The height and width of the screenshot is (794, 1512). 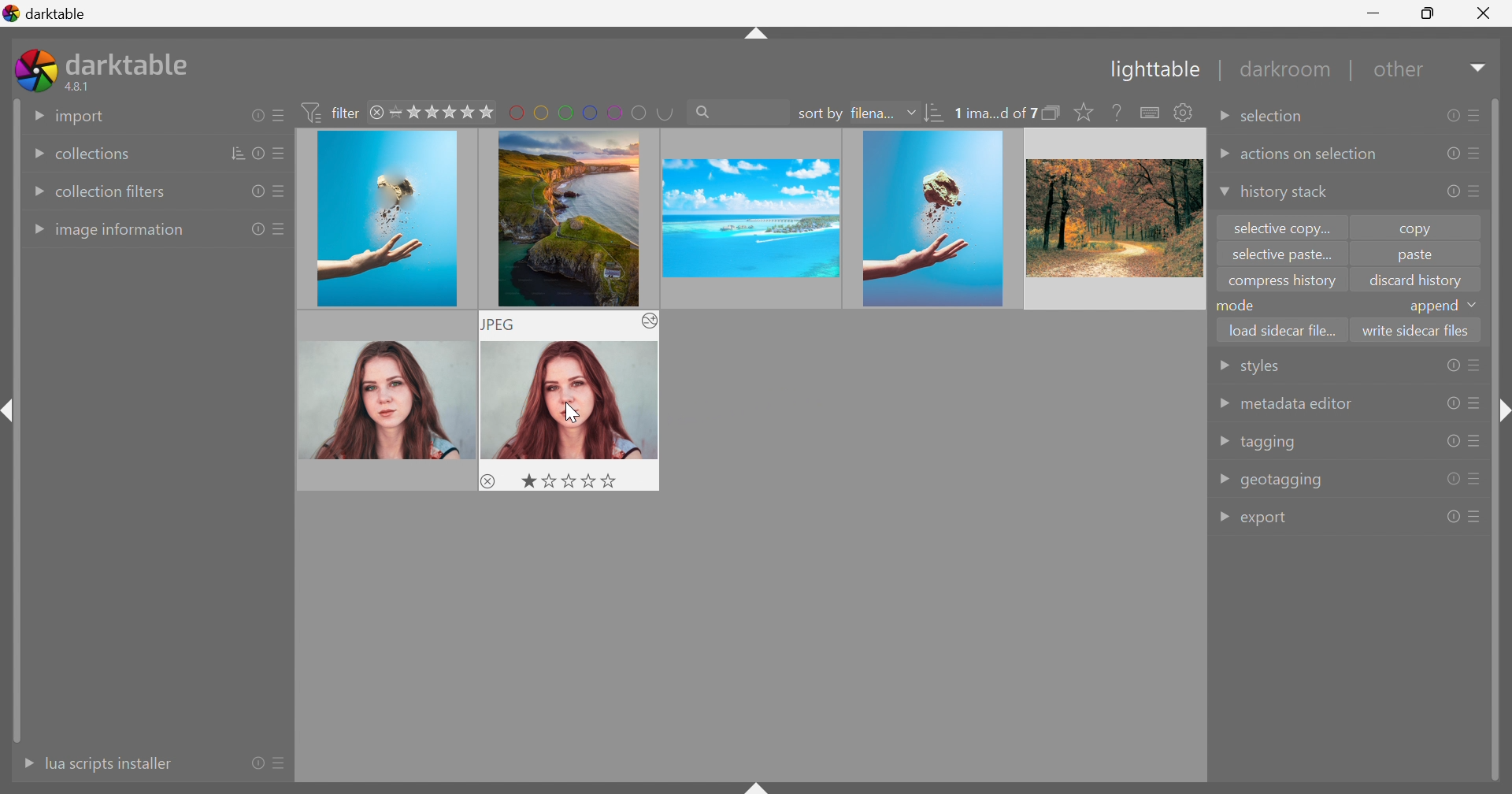 What do you see at coordinates (121, 232) in the screenshot?
I see `image information` at bounding box center [121, 232].